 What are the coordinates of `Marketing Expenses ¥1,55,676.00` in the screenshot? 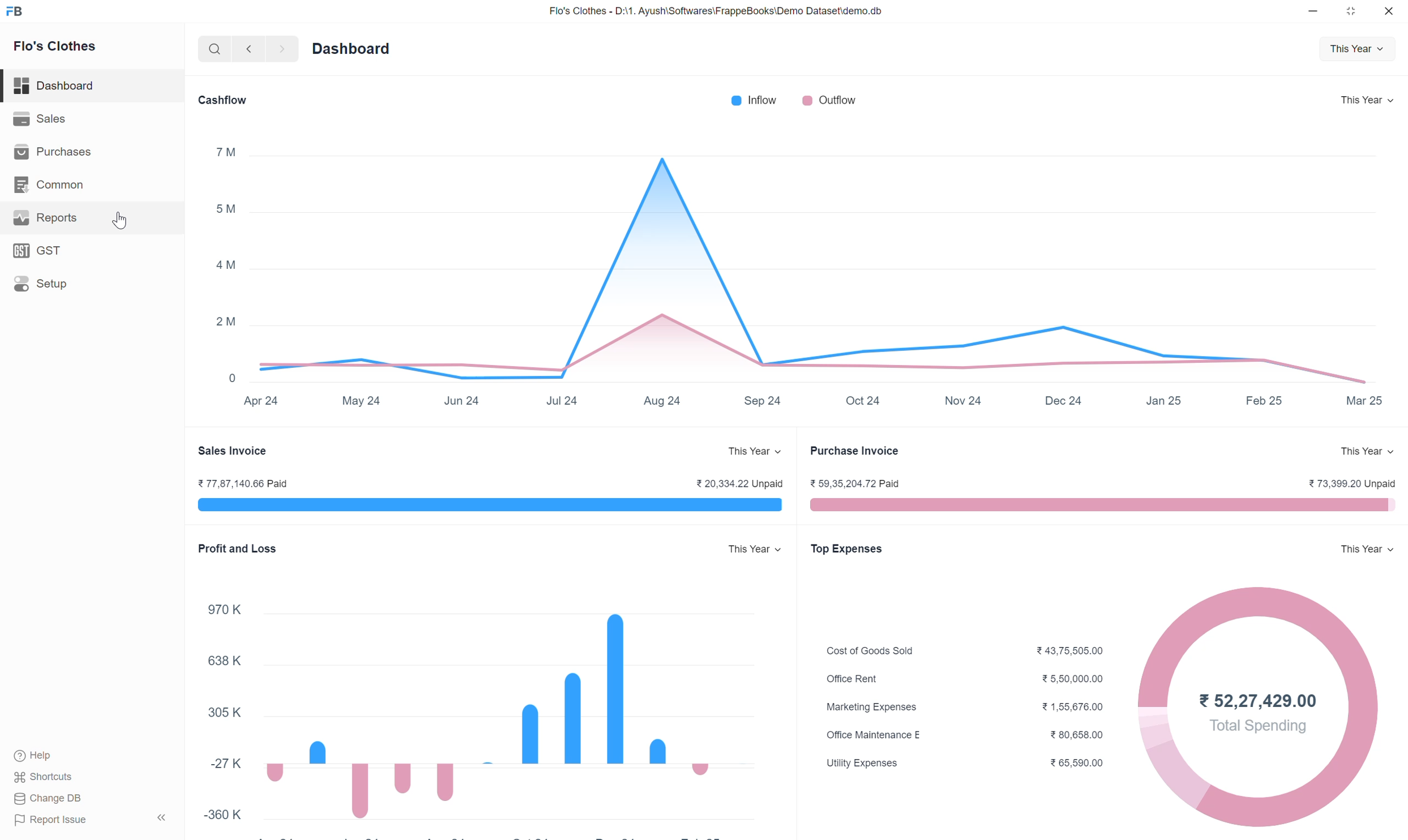 It's located at (973, 706).